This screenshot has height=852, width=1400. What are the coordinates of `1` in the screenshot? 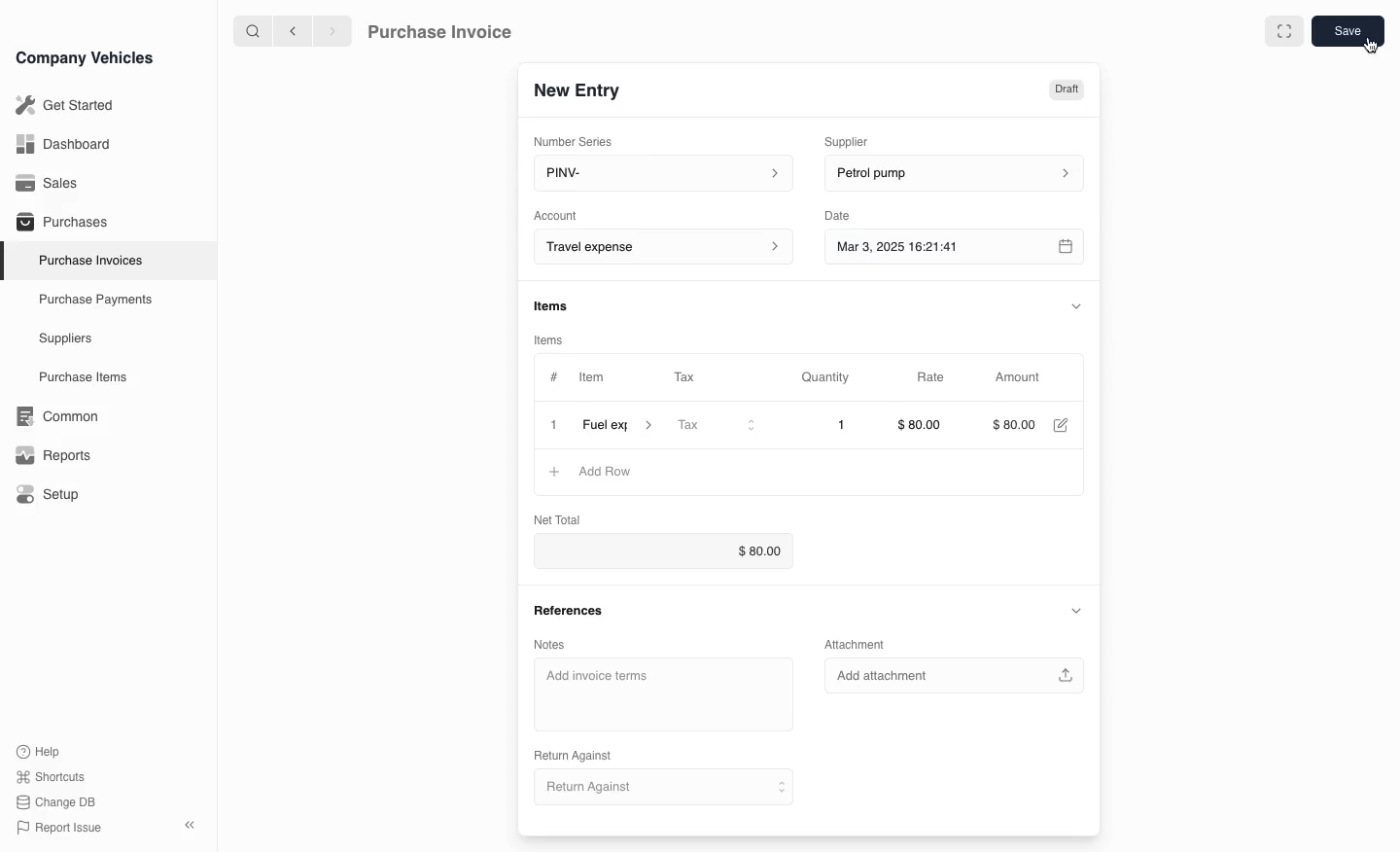 It's located at (827, 425).